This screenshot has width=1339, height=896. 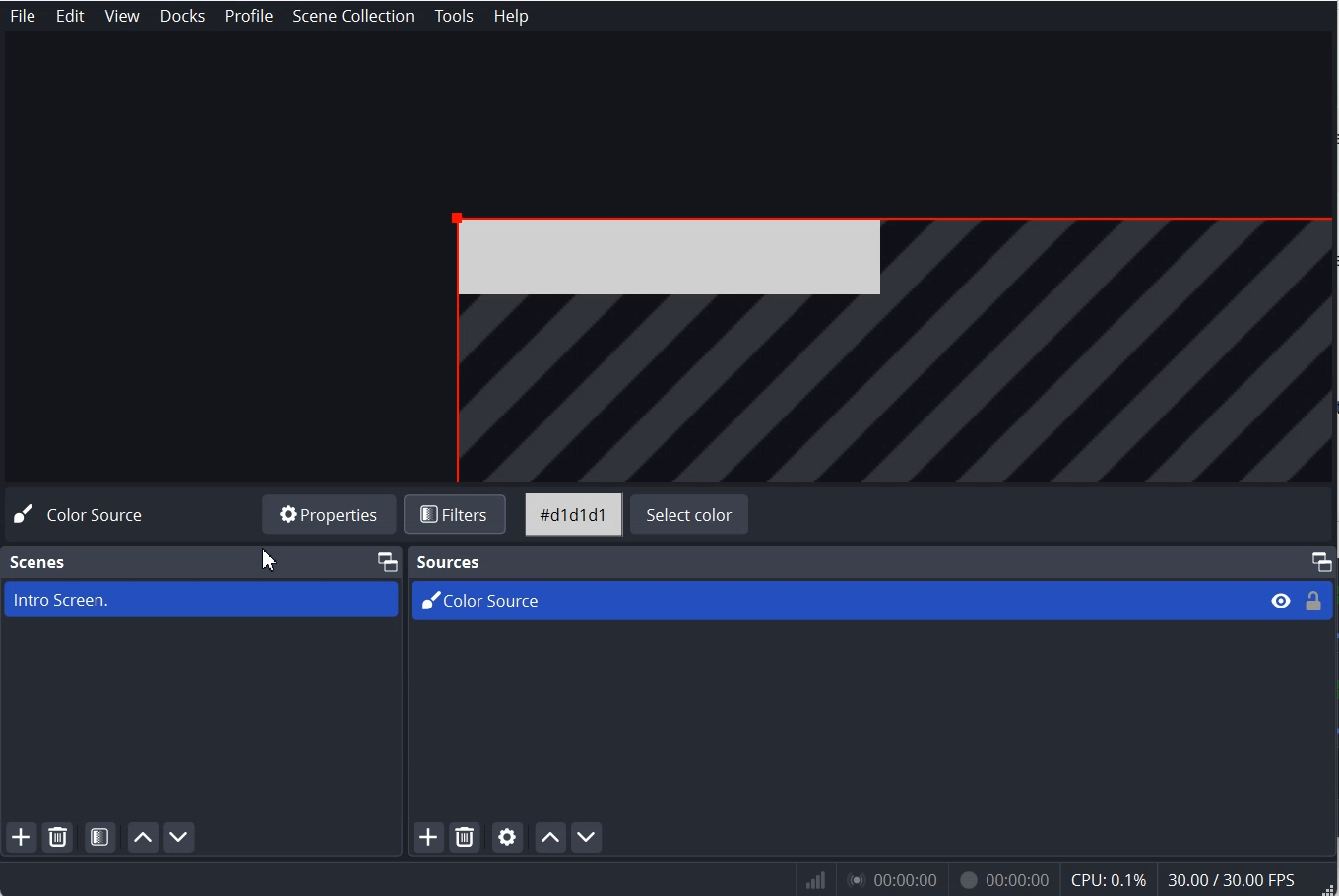 I want to click on Move Scene Down, so click(x=181, y=838).